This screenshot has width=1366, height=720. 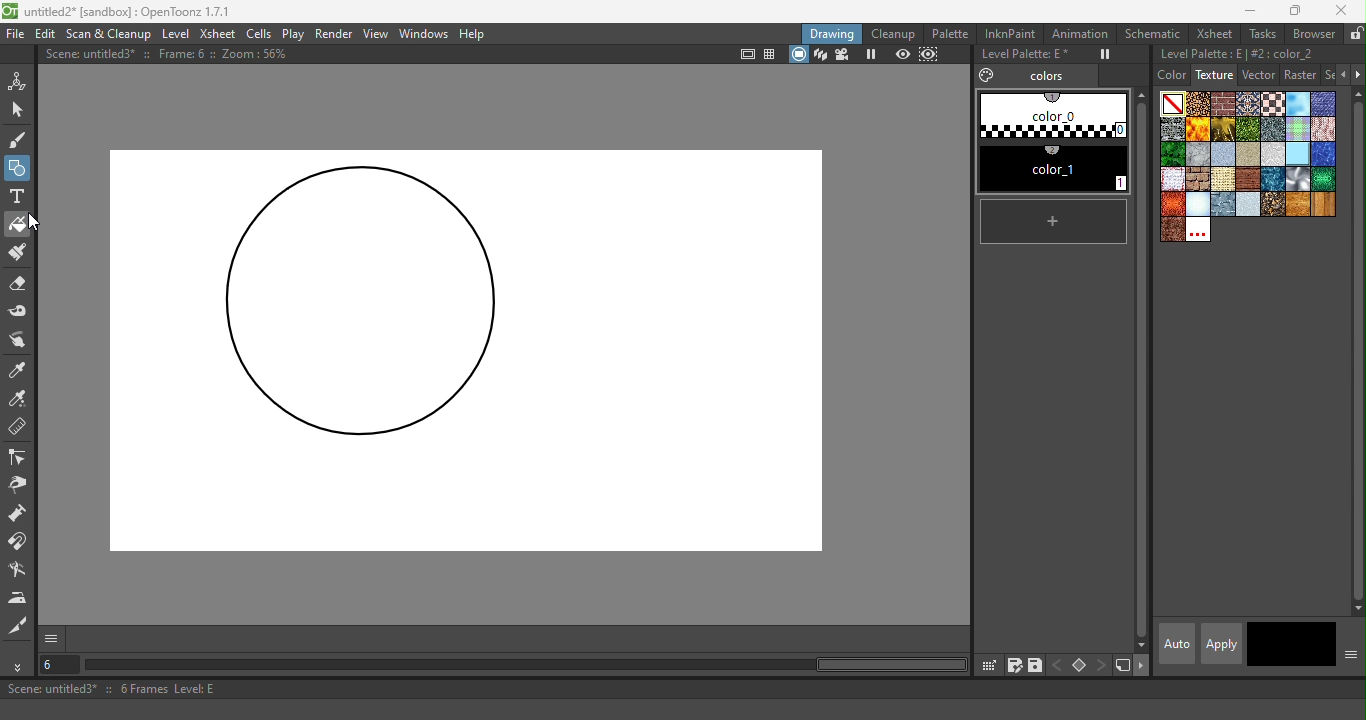 What do you see at coordinates (1198, 103) in the screenshot?
I see `Arabesque.bmp` at bounding box center [1198, 103].